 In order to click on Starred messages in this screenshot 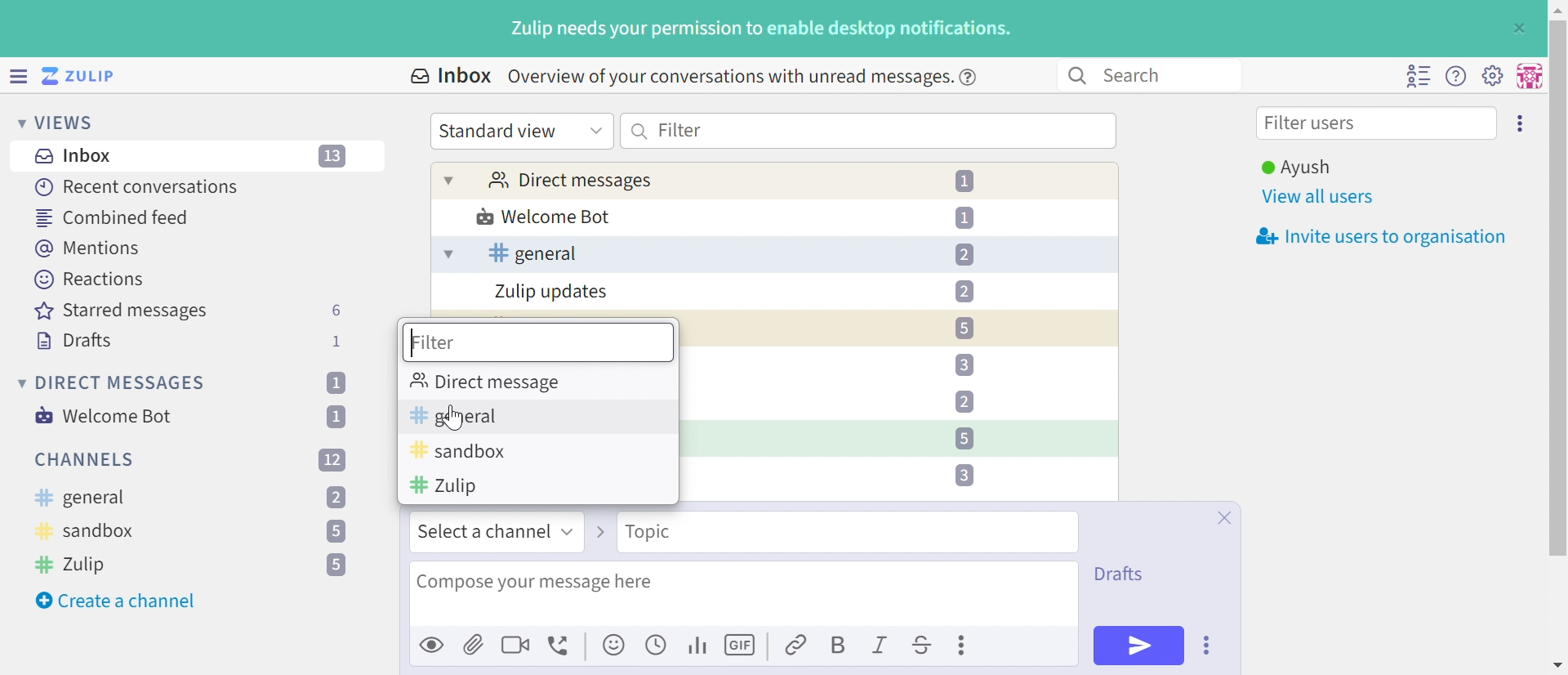, I will do `click(121, 312)`.